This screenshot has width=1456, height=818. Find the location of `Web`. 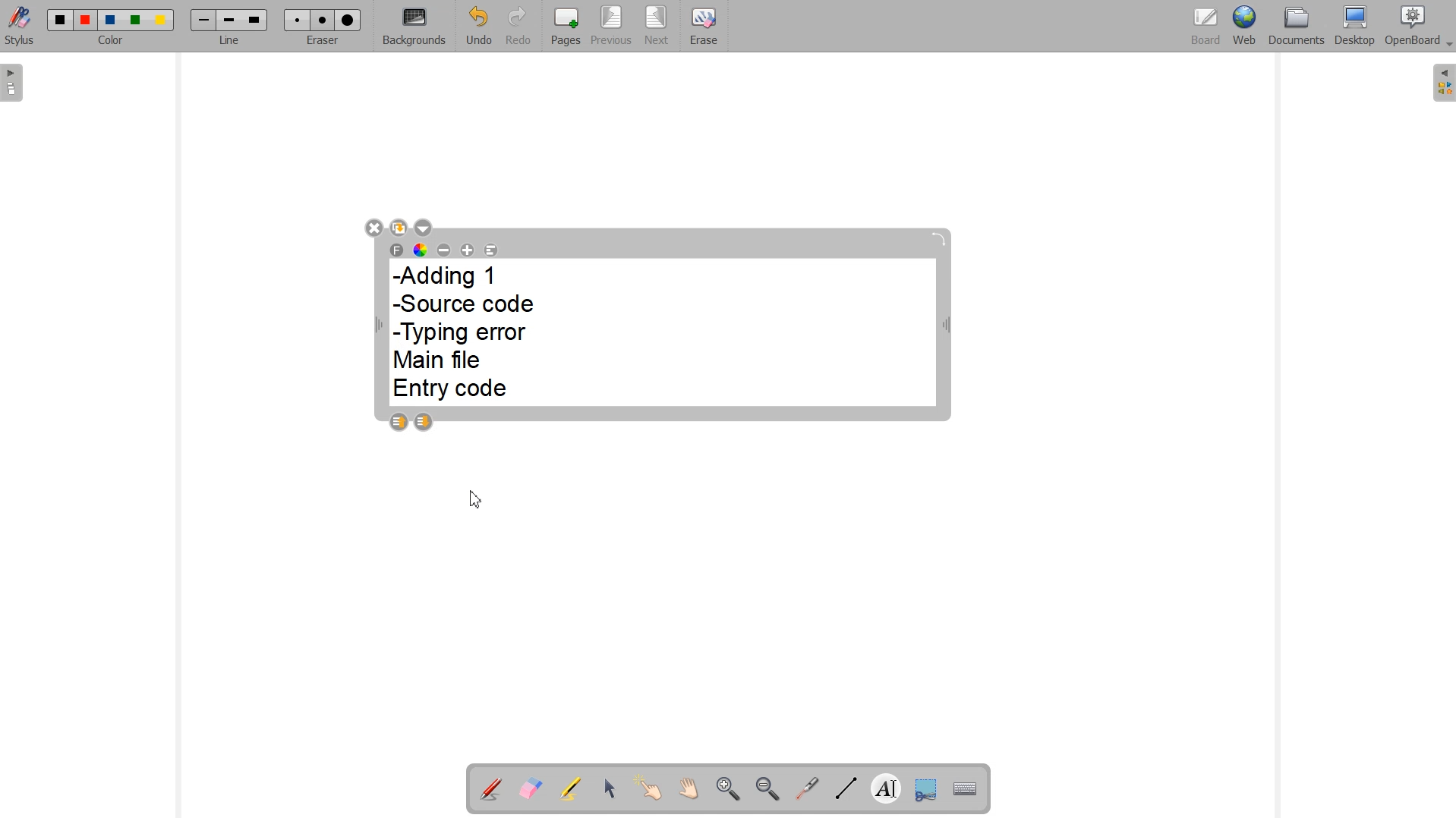

Web is located at coordinates (1244, 27).